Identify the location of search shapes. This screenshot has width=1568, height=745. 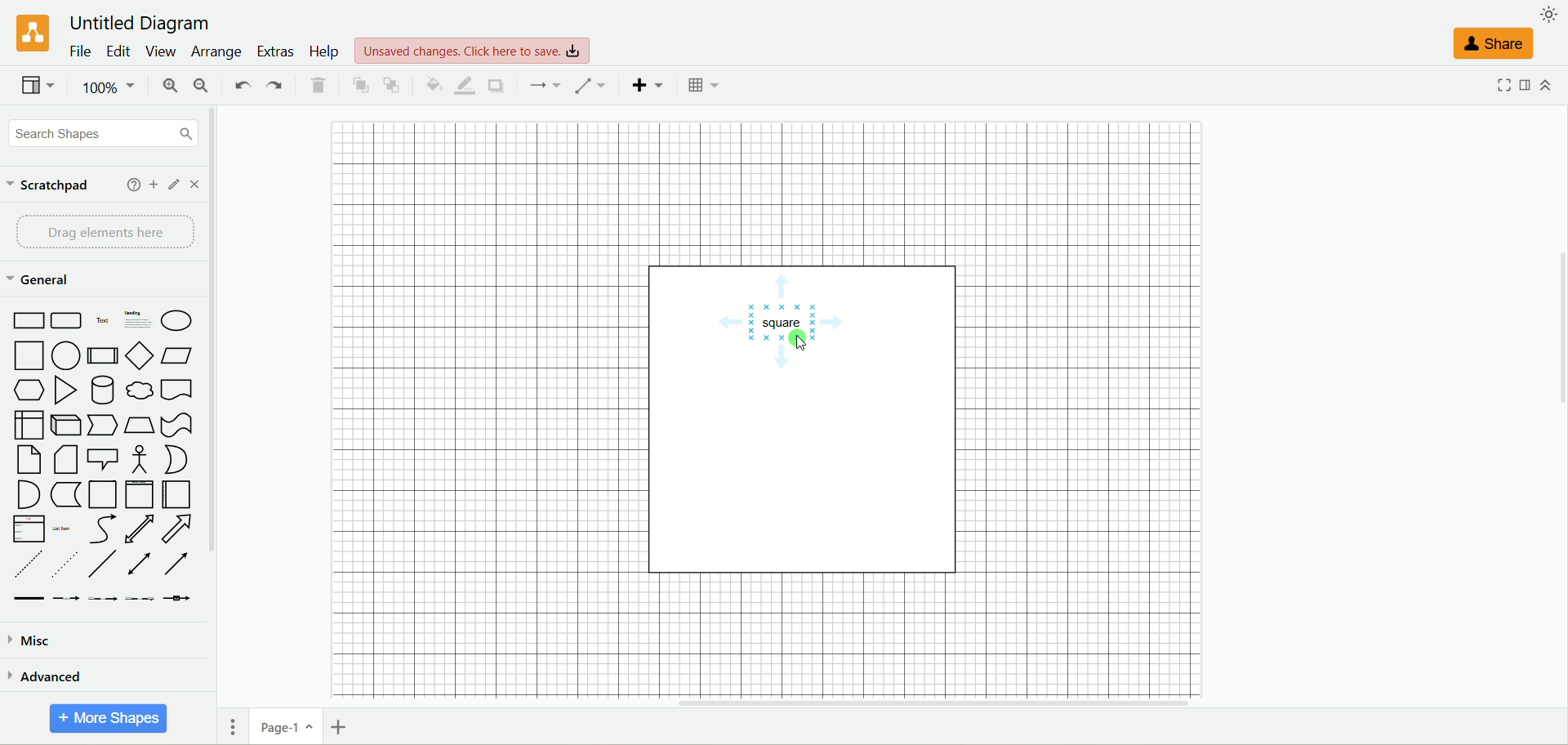
(104, 136).